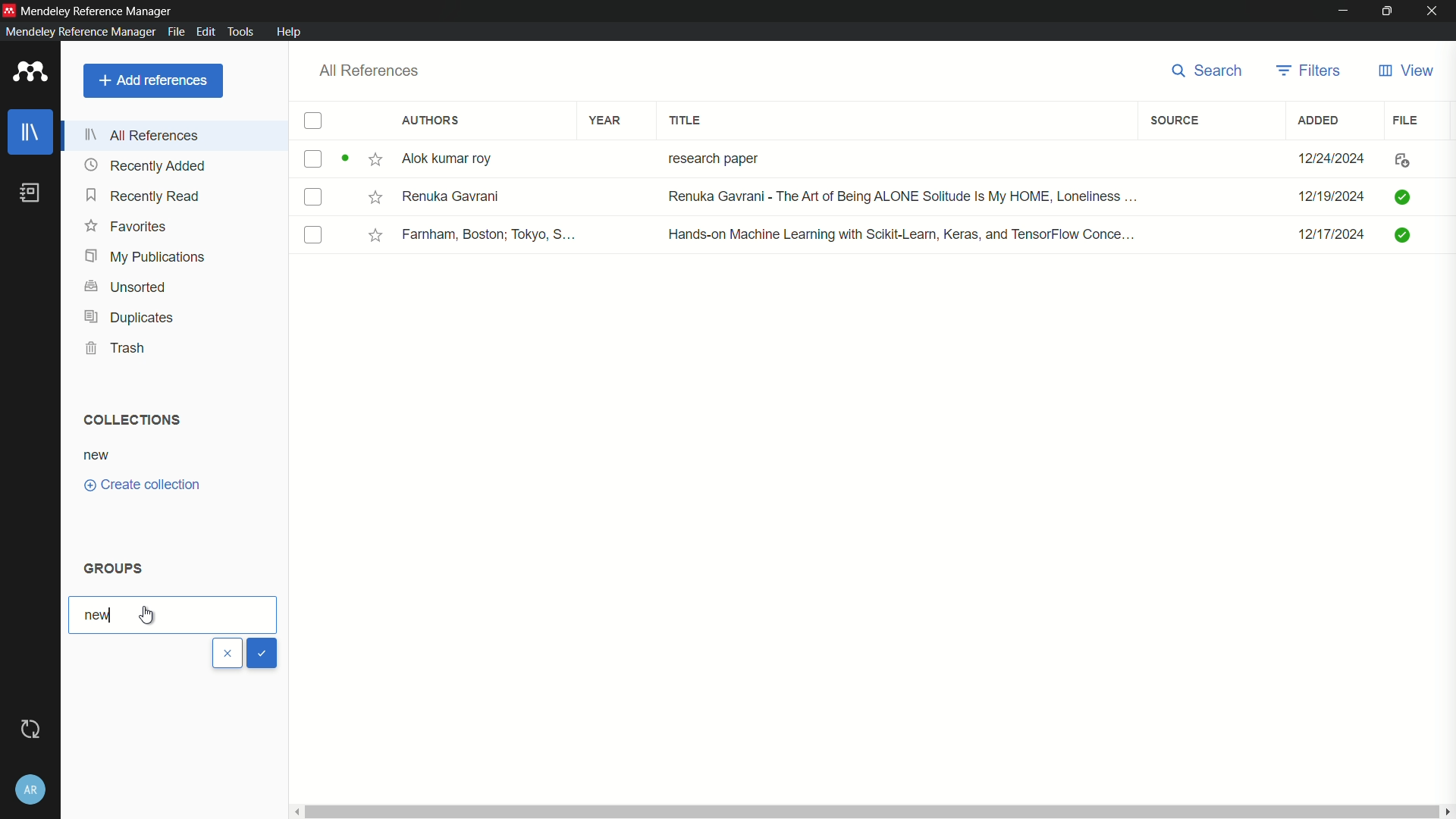 Image resolution: width=1456 pixels, height=819 pixels. I want to click on app name, so click(77, 32).